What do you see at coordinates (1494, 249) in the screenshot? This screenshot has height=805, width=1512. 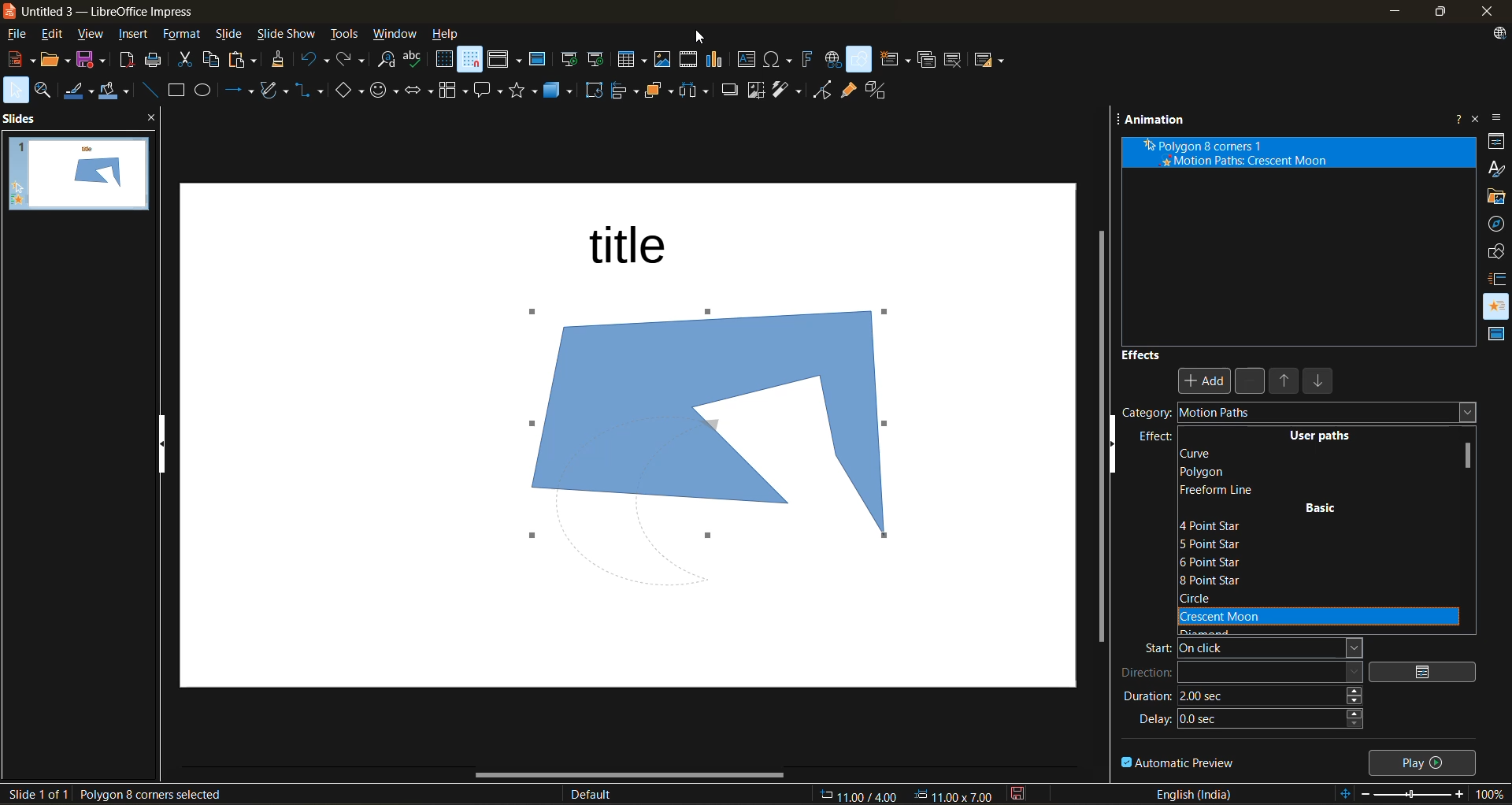 I see `shapes` at bounding box center [1494, 249].